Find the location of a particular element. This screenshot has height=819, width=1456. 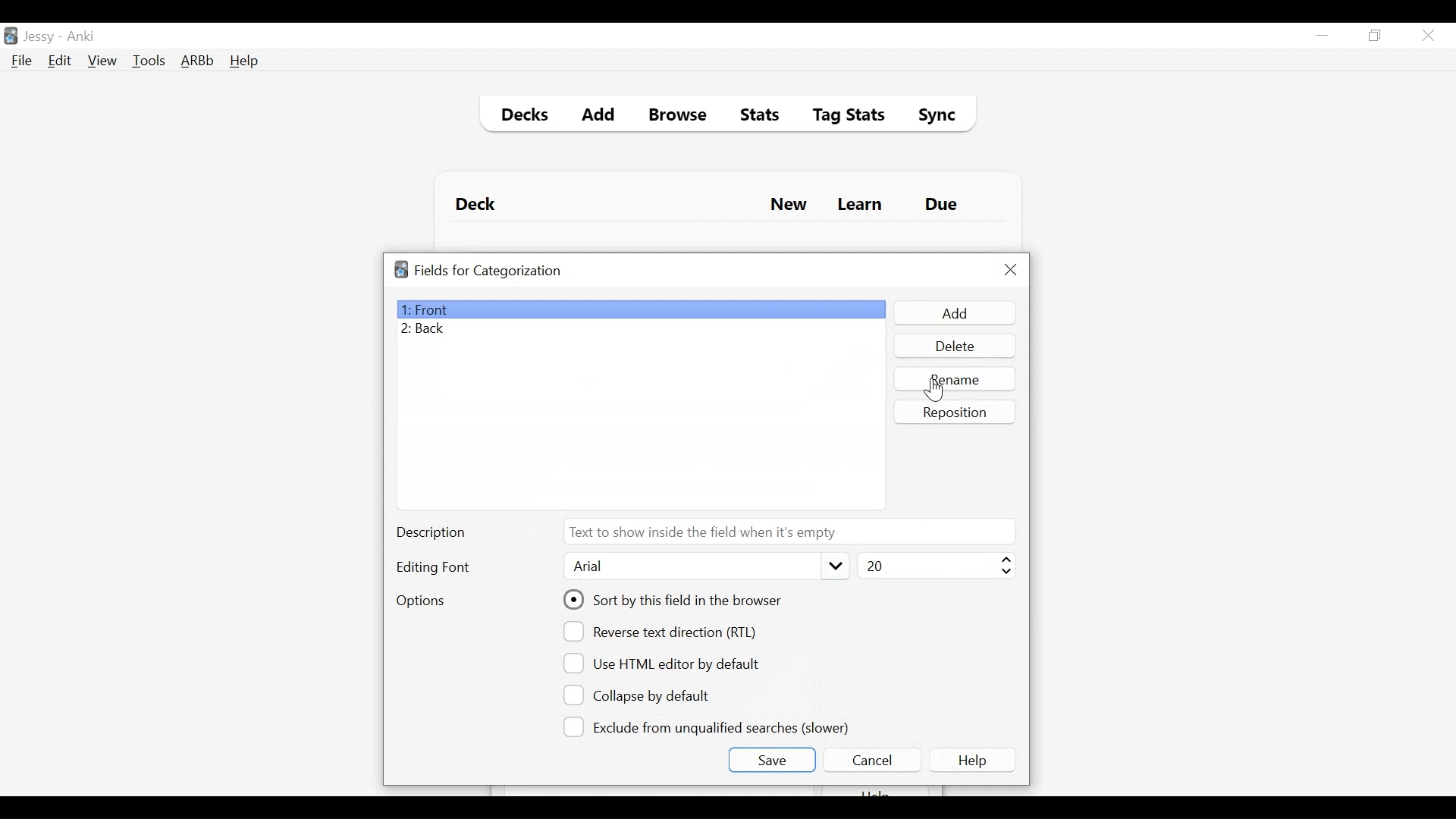

Close is located at coordinates (1011, 270).